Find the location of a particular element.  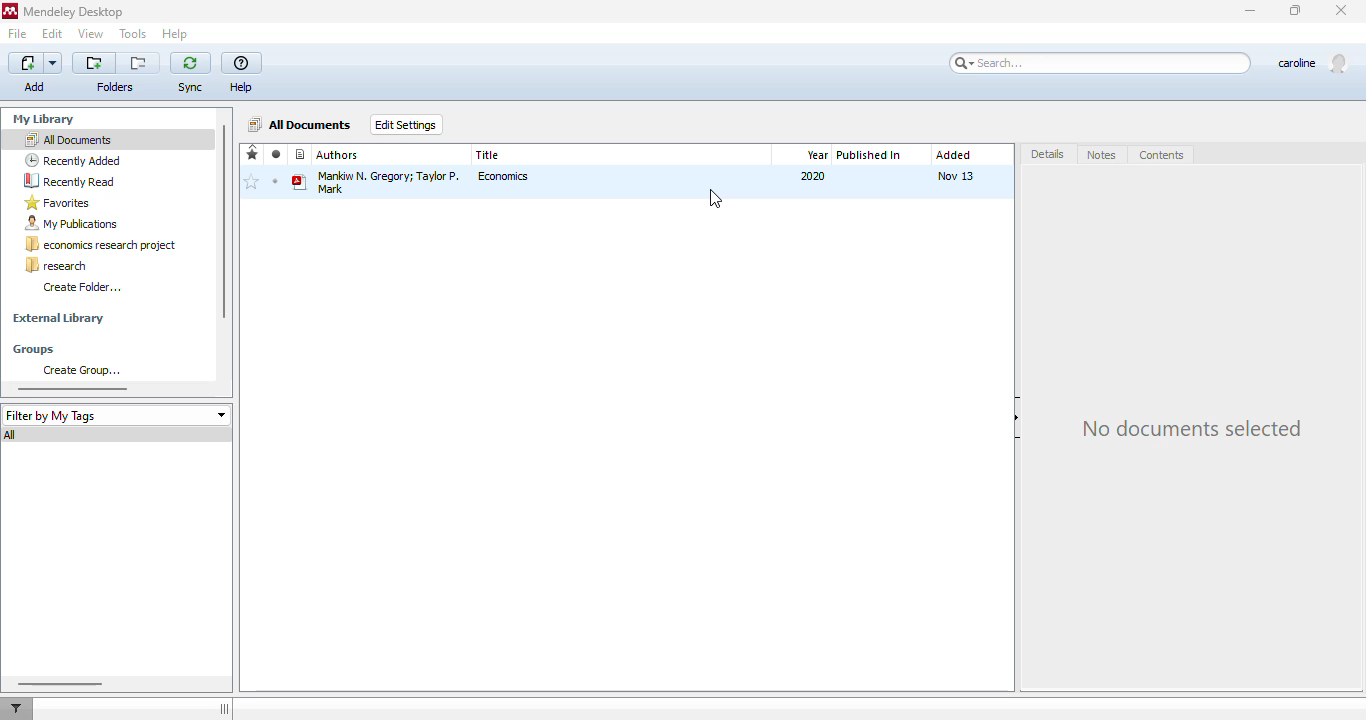

create a new folder is located at coordinates (94, 63).